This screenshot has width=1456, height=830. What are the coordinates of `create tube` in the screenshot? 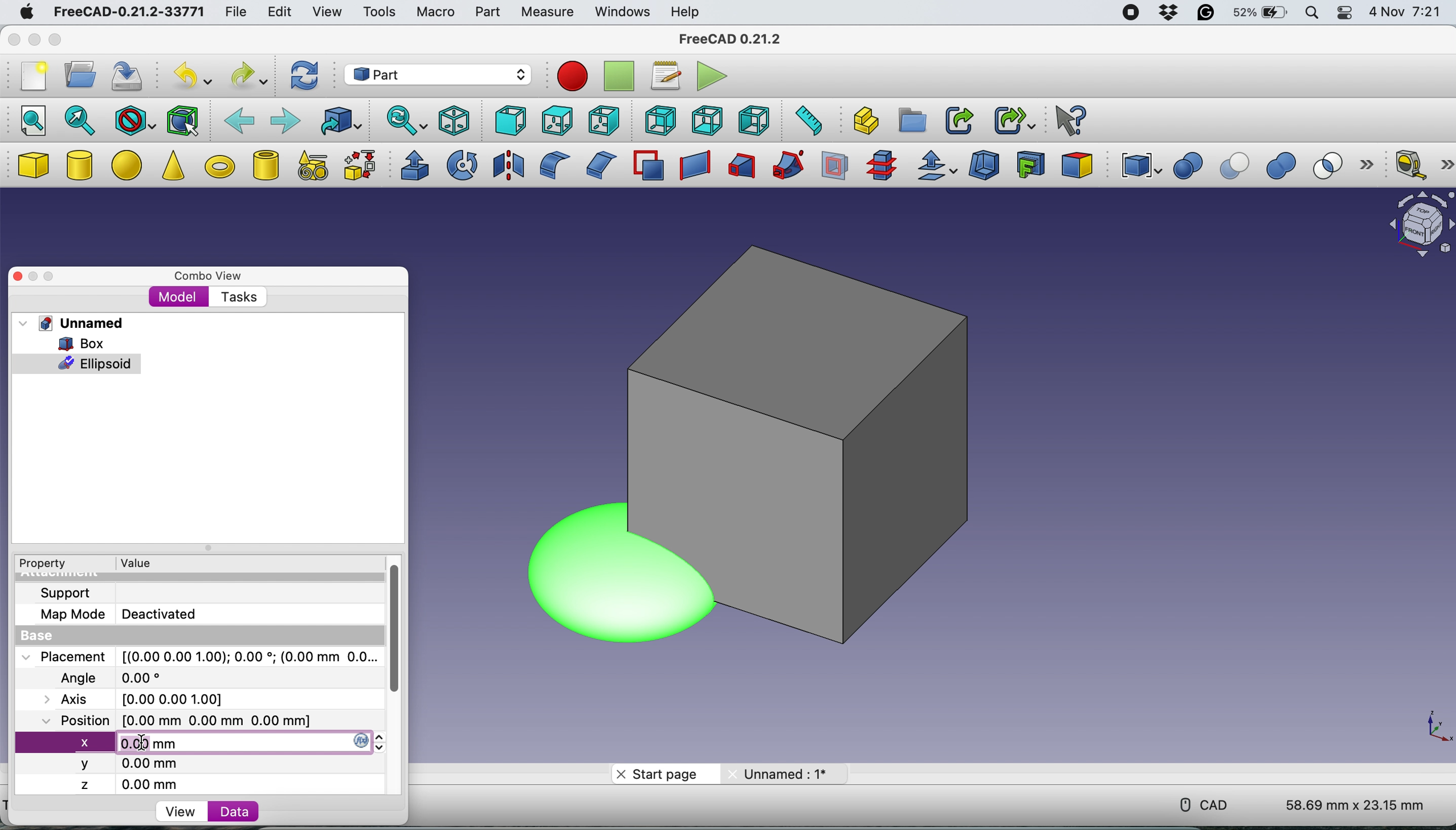 It's located at (265, 165).